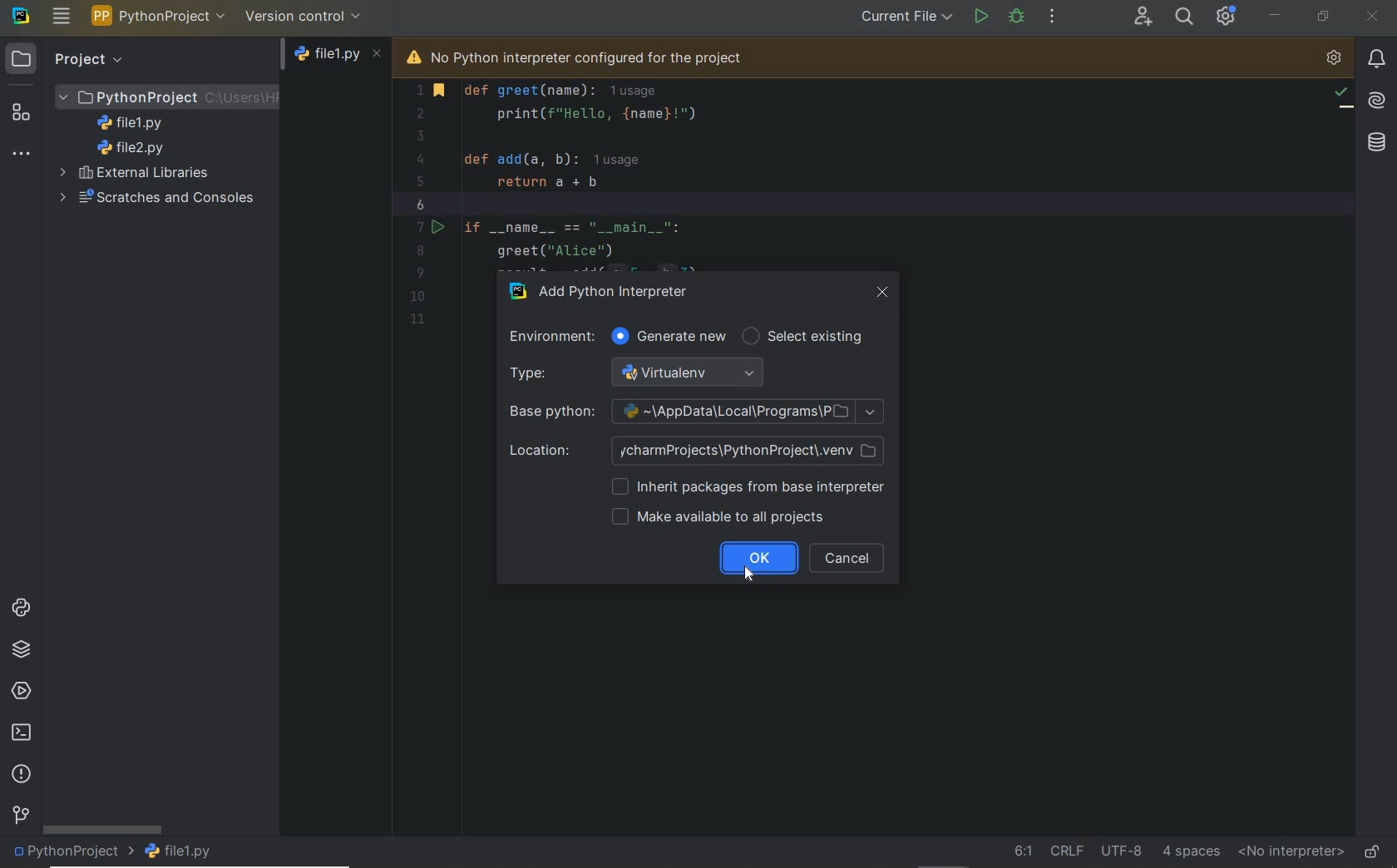  Describe the element at coordinates (1143, 17) in the screenshot. I see `code with me` at that location.